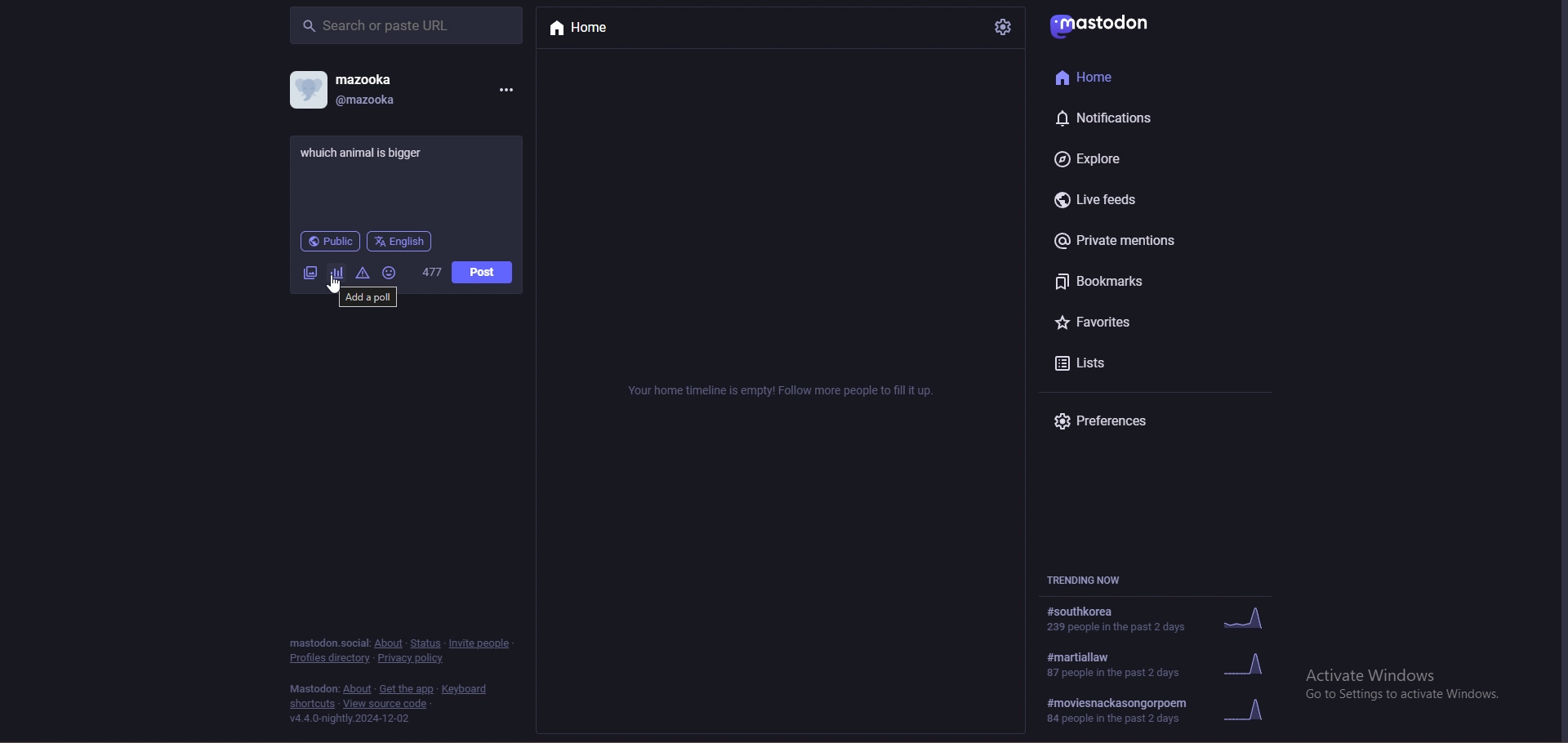  What do you see at coordinates (406, 689) in the screenshot?
I see `get the app` at bounding box center [406, 689].